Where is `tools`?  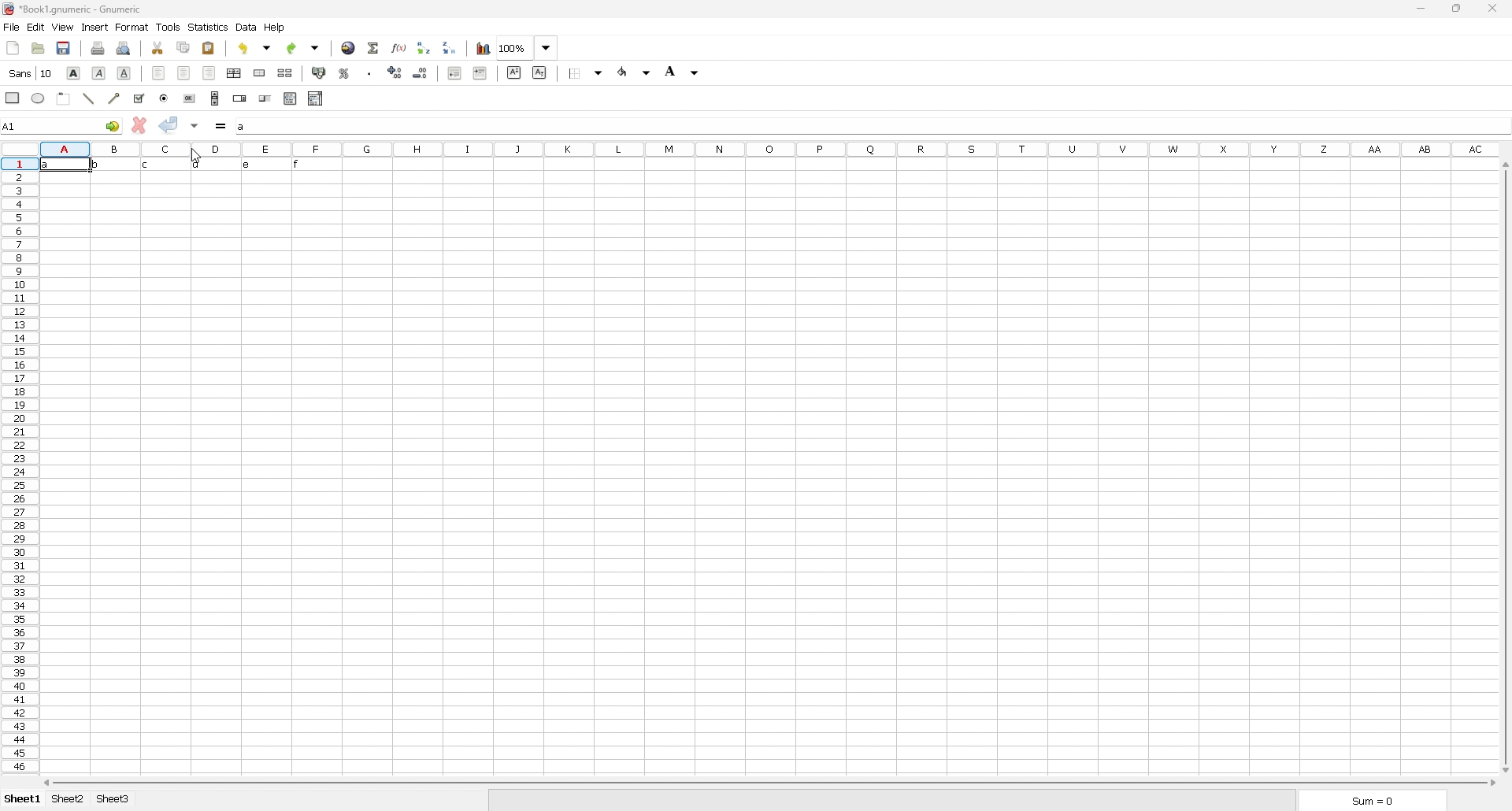 tools is located at coordinates (169, 27).